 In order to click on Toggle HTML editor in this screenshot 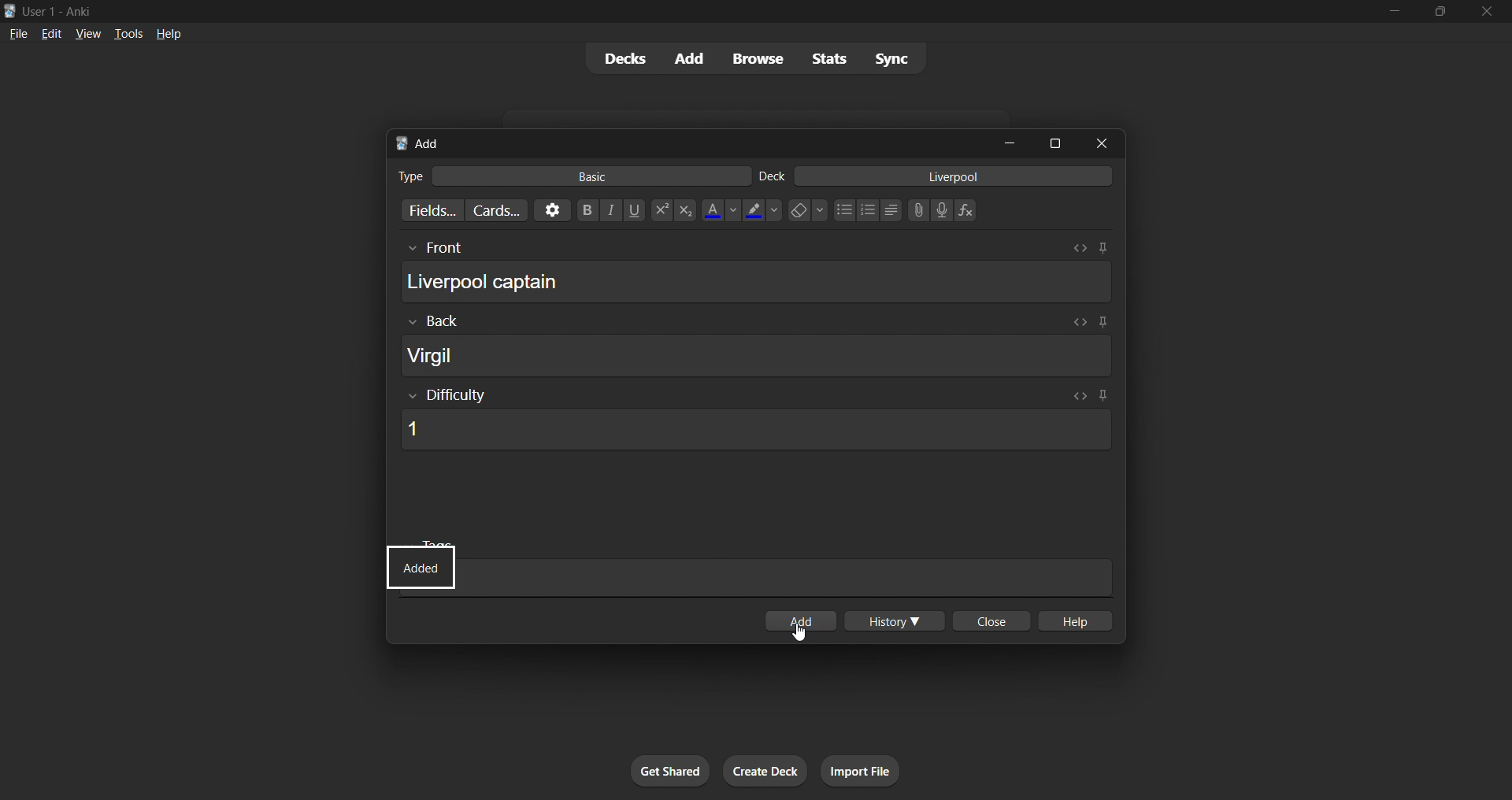, I will do `click(1080, 396)`.